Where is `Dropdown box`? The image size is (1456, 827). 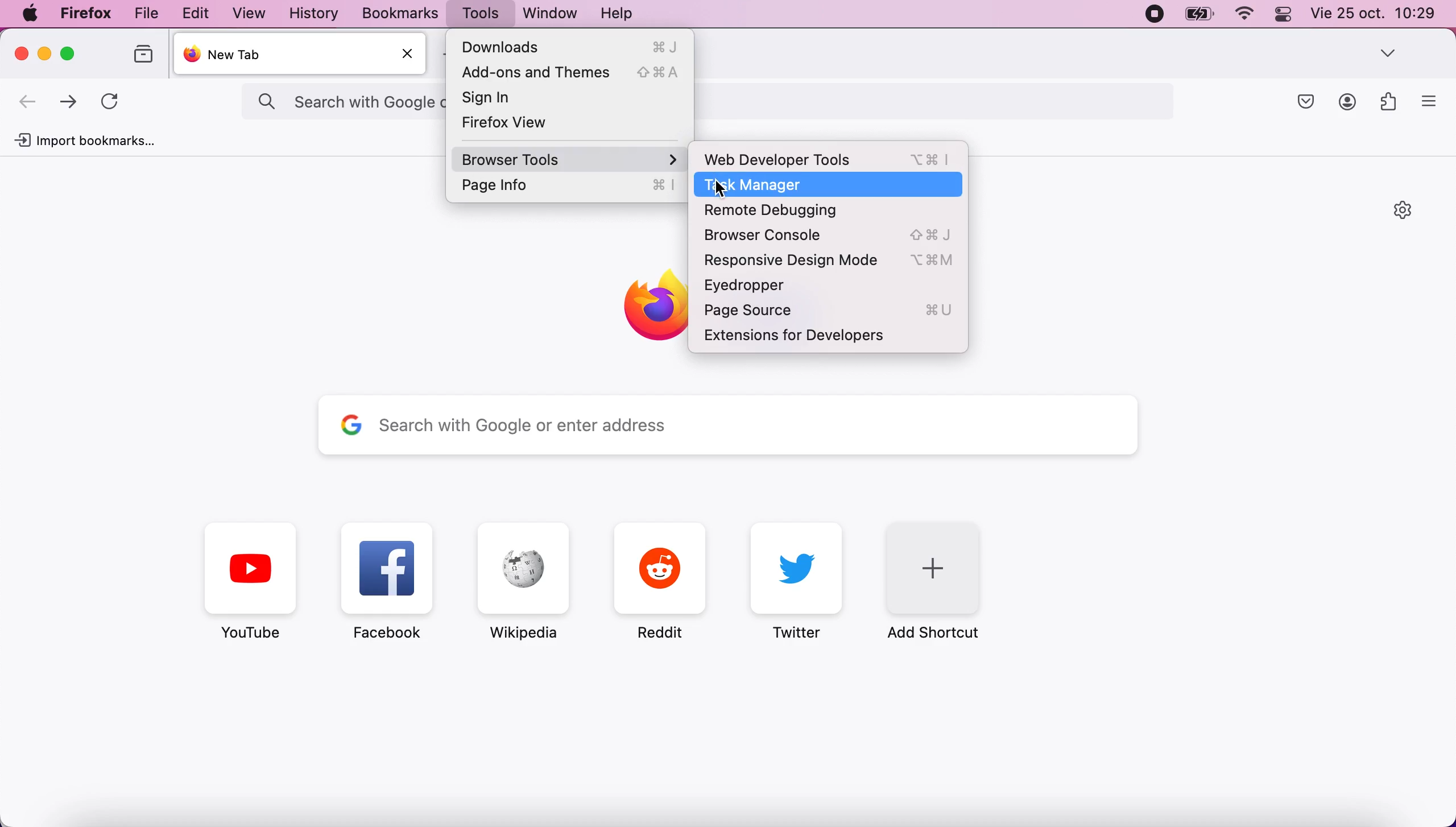 Dropdown box is located at coordinates (1389, 52).